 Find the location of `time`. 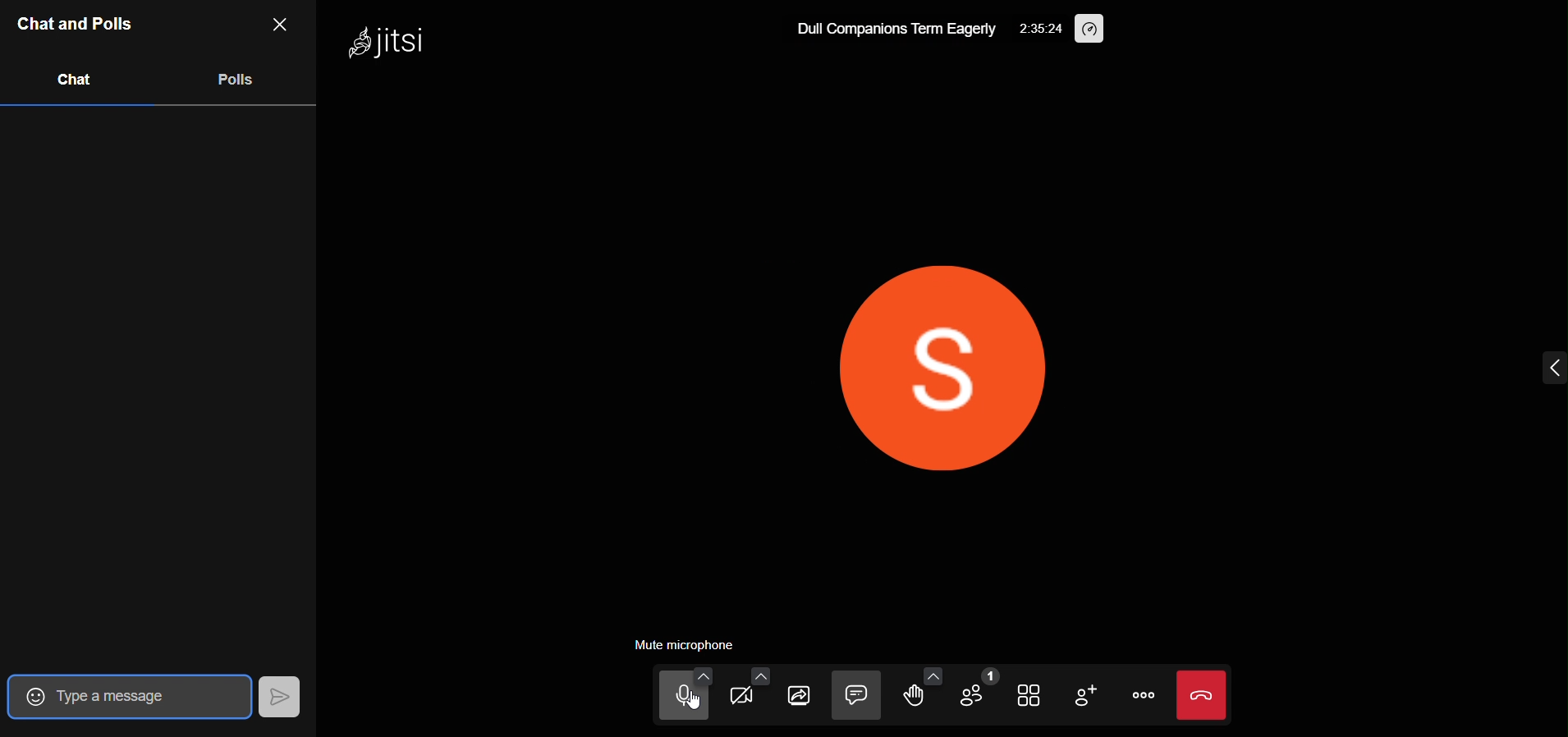

time is located at coordinates (1038, 27).